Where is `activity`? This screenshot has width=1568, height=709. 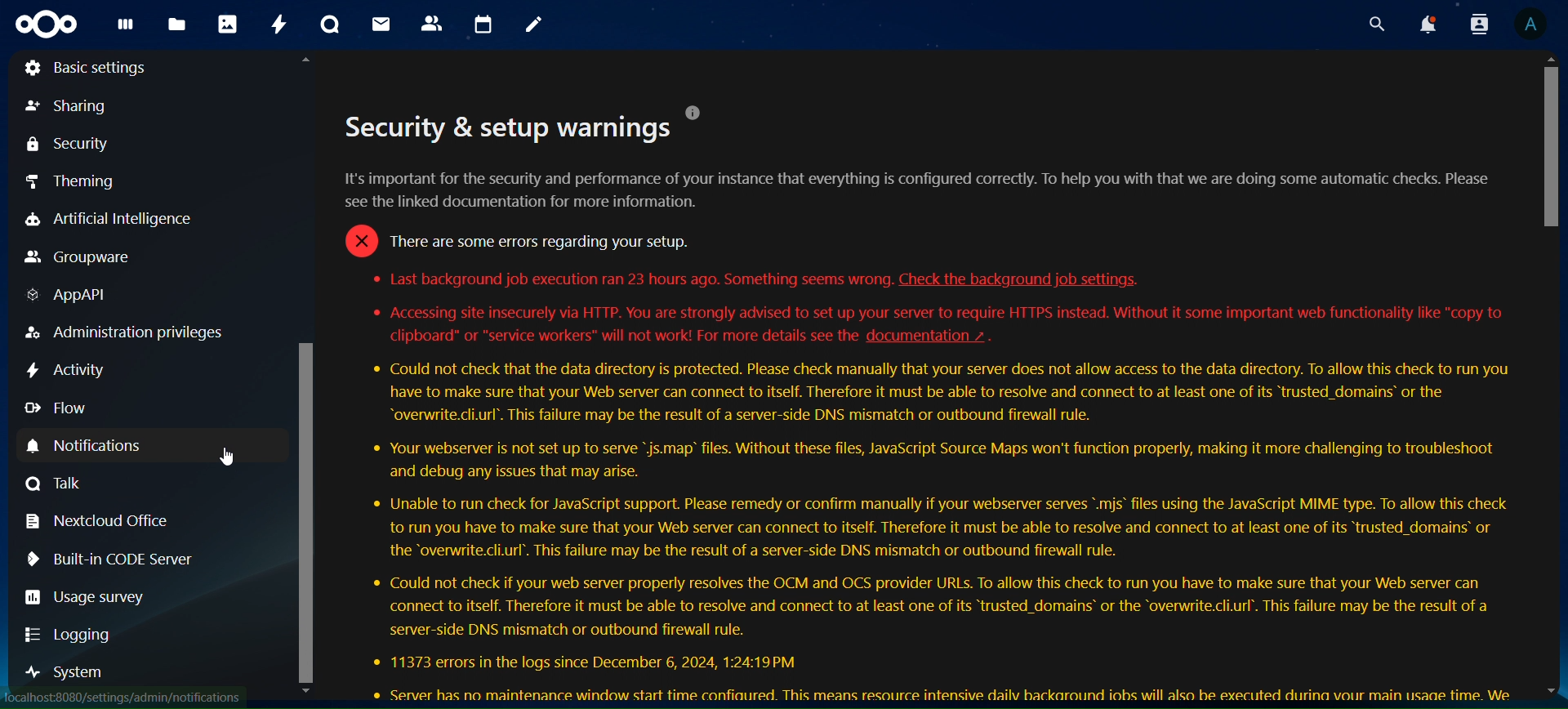
activity is located at coordinates (69, 369).